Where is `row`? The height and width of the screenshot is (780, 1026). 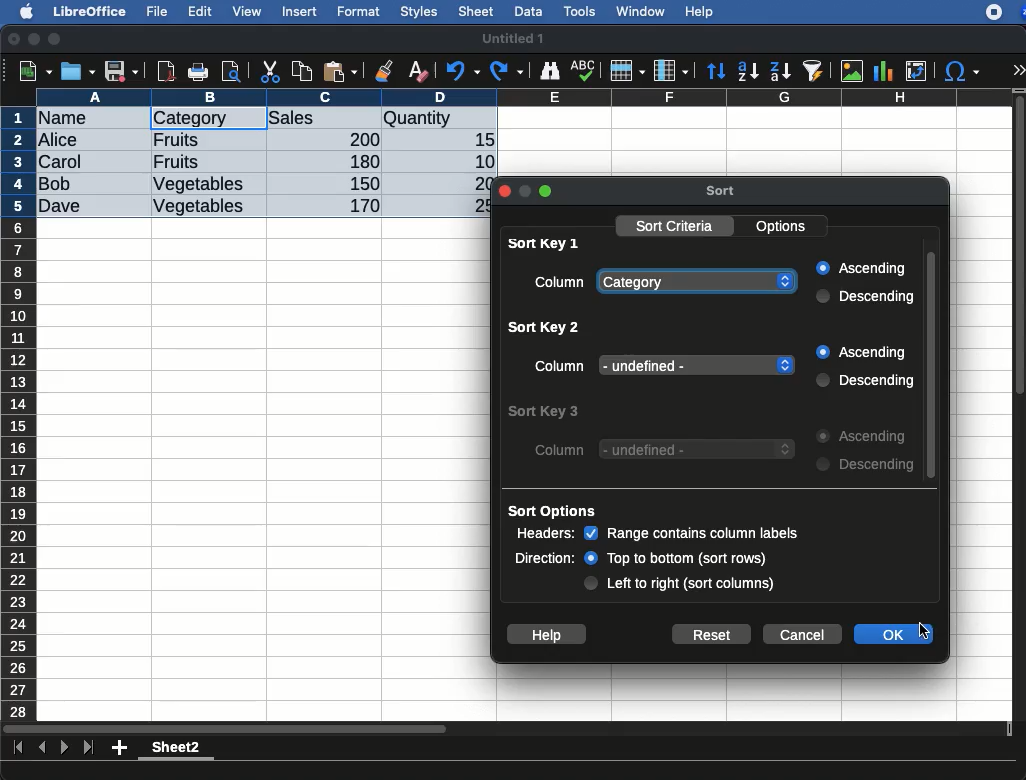
row is located at coordinates (20, 413).